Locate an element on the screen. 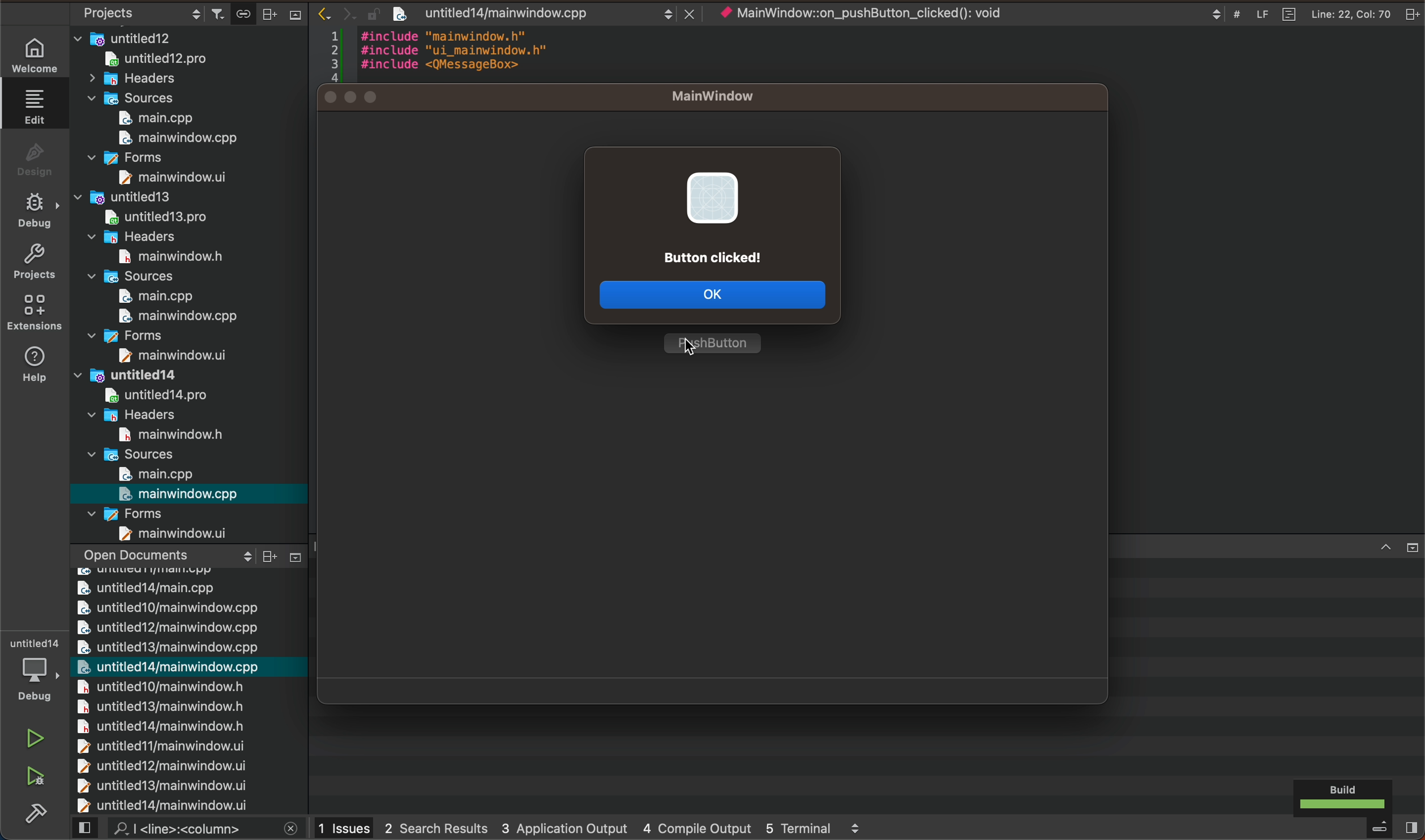  close bar is located at coordinates (1398, 546).